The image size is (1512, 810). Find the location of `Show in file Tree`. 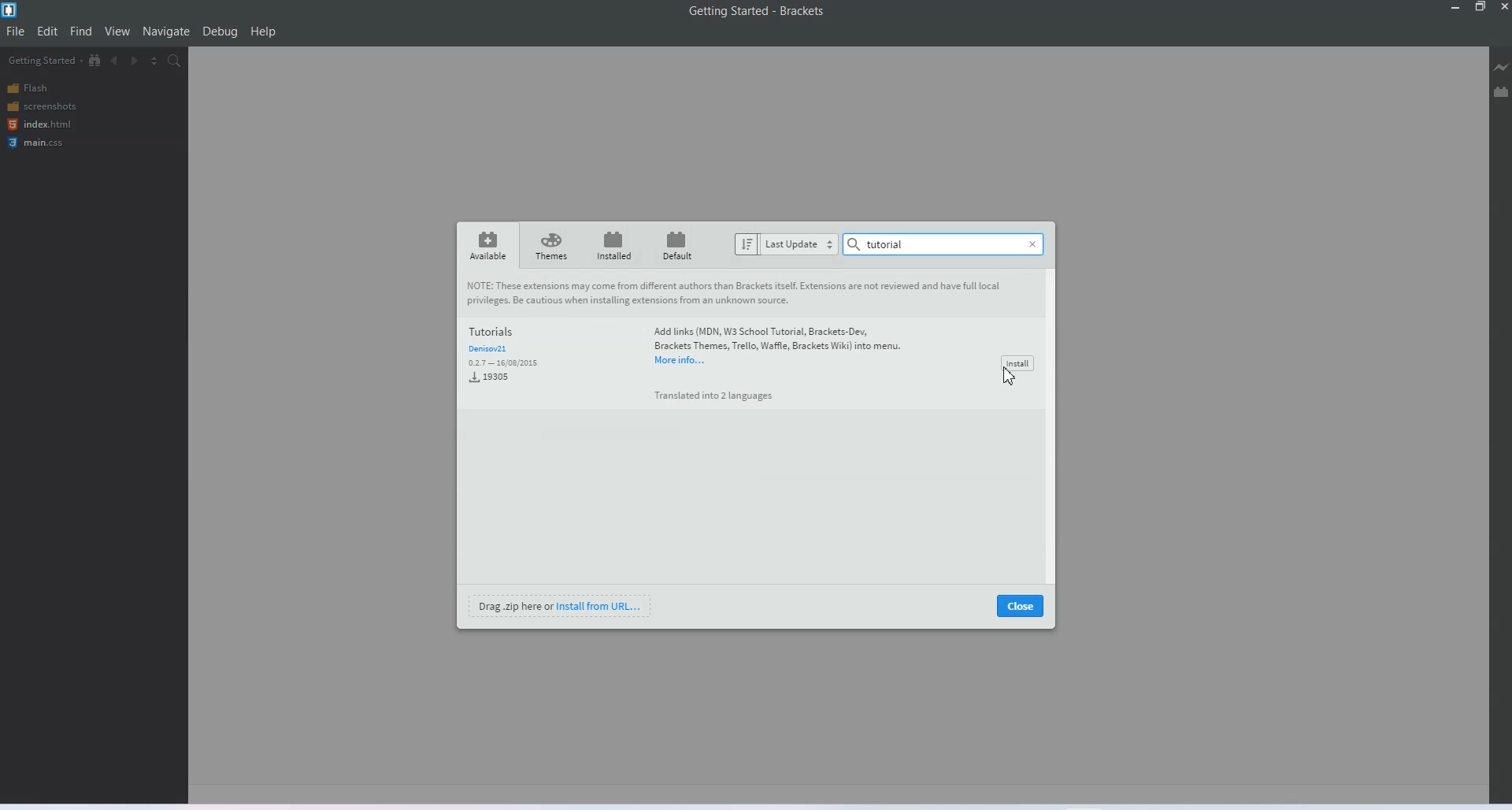

Show in file Tree is located at coordinates (96, 61).